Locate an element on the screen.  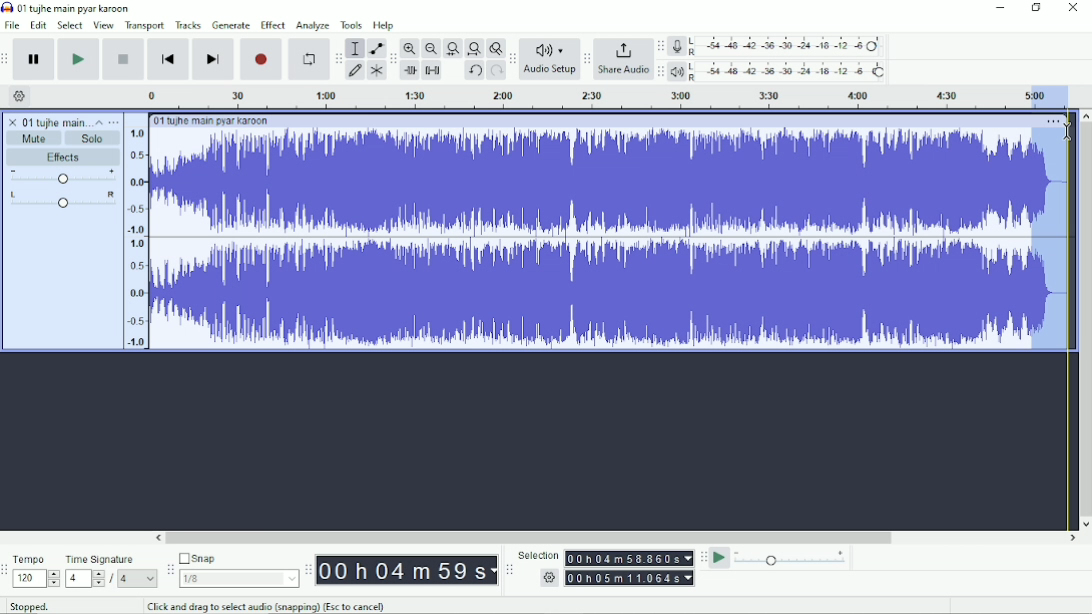
Audacity logo is located at coordinates (7, 8).